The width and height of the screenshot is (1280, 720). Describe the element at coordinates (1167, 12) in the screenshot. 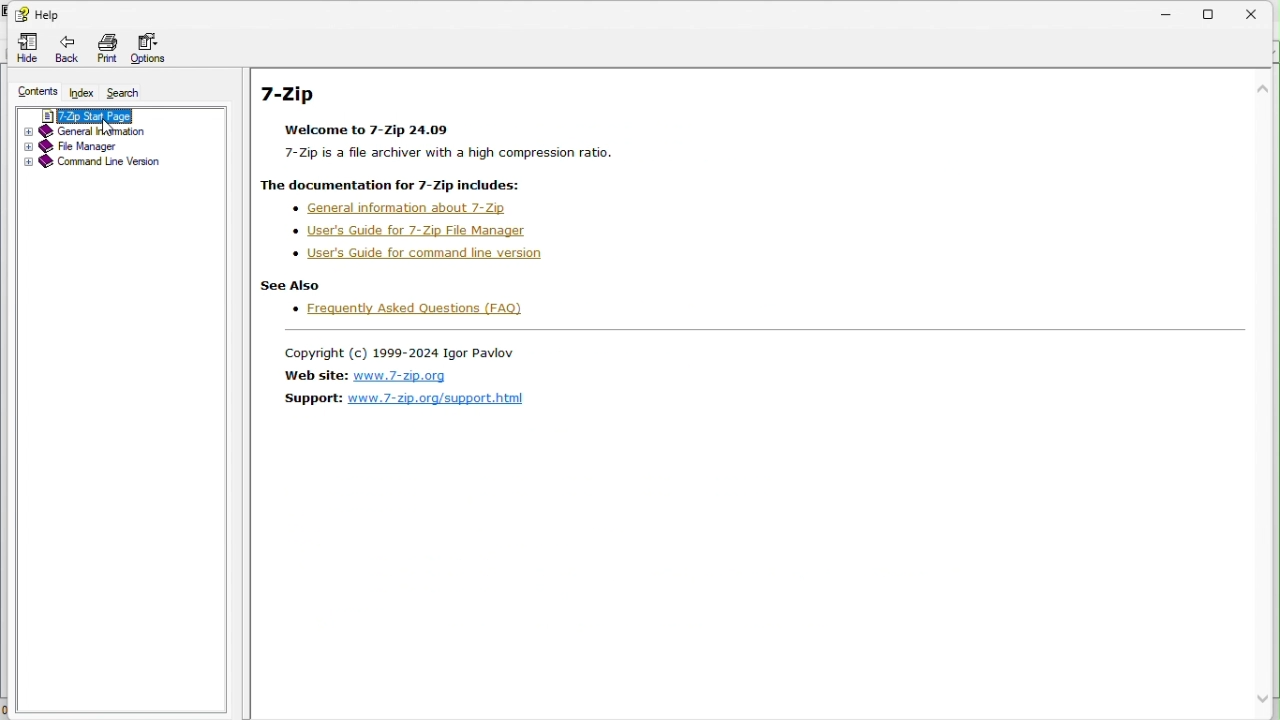

I see `Minimize` at that location.